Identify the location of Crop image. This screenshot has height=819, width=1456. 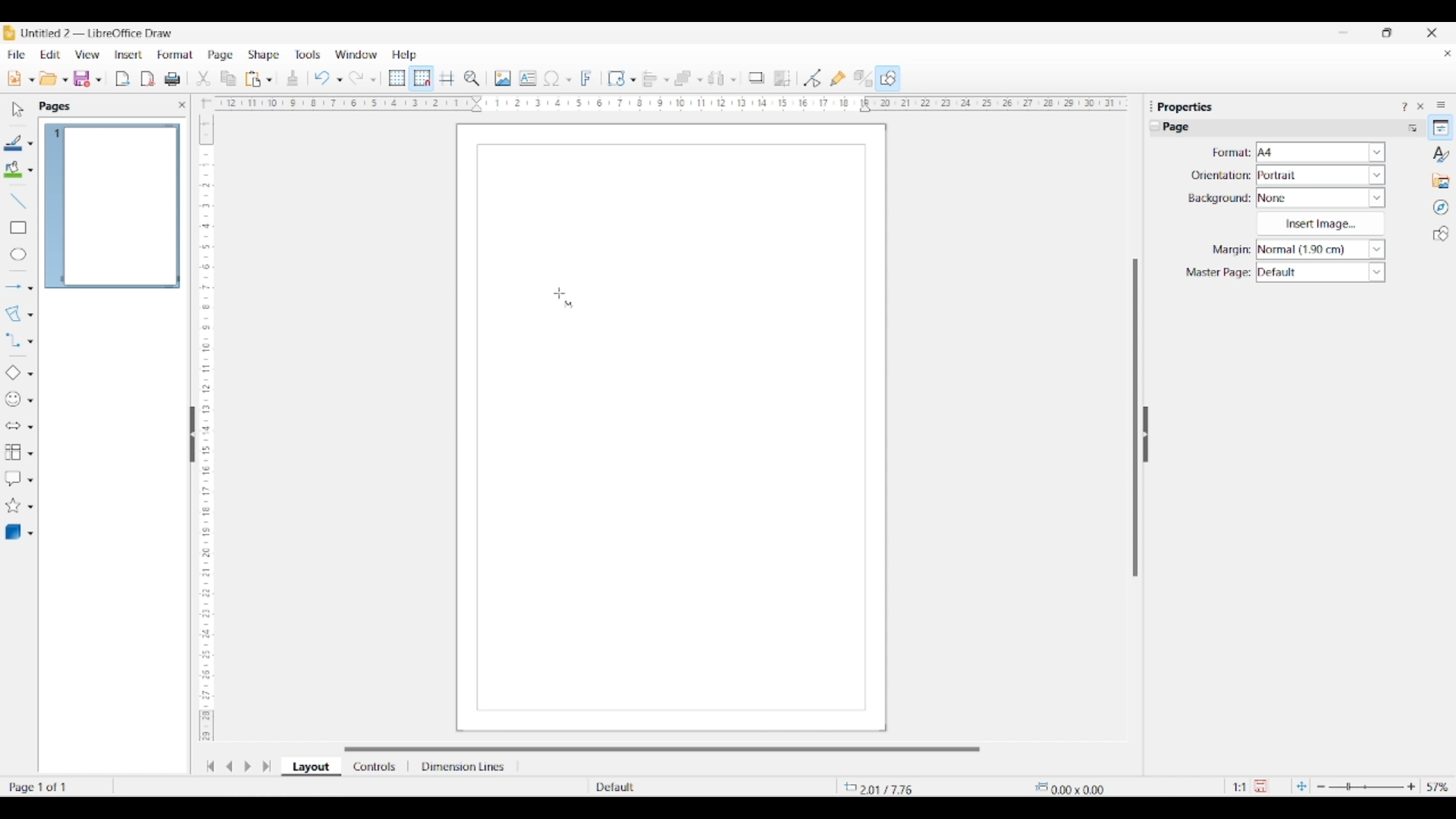
(783, 78).